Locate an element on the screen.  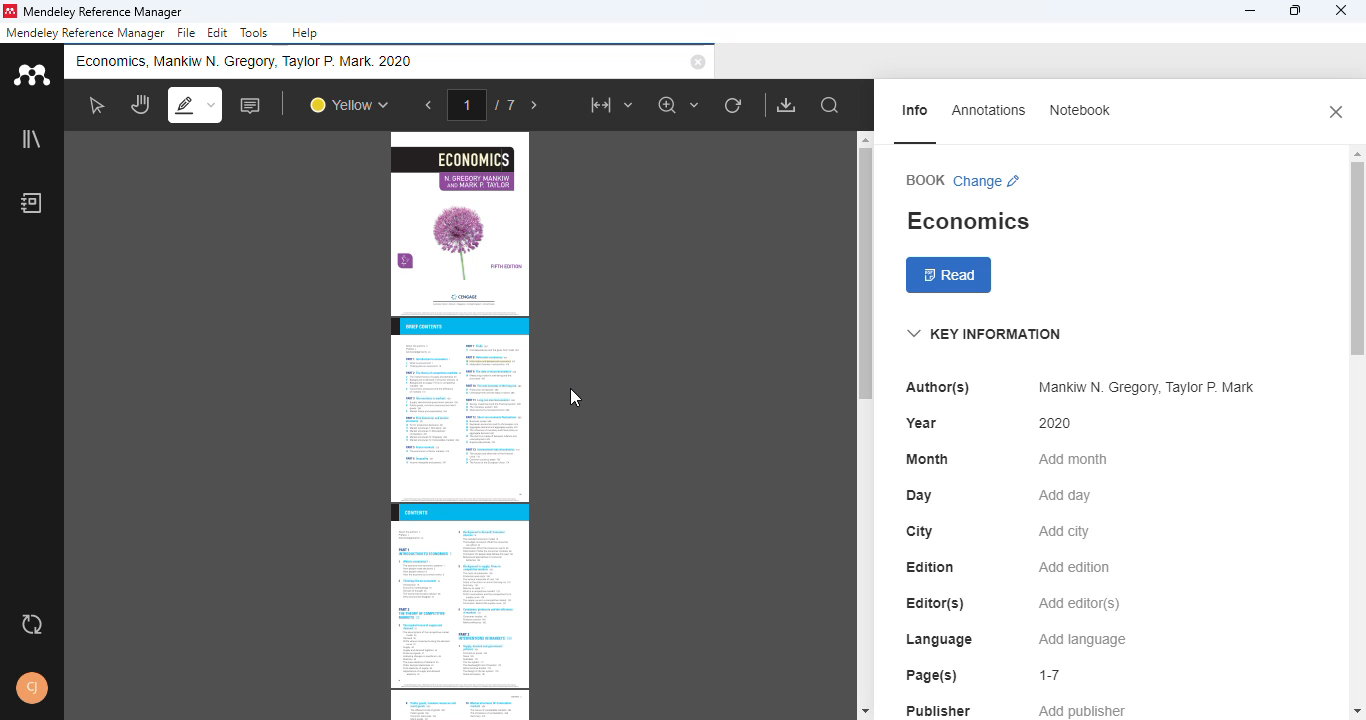
vertical scroll bar is located at coordinates (862, 275).